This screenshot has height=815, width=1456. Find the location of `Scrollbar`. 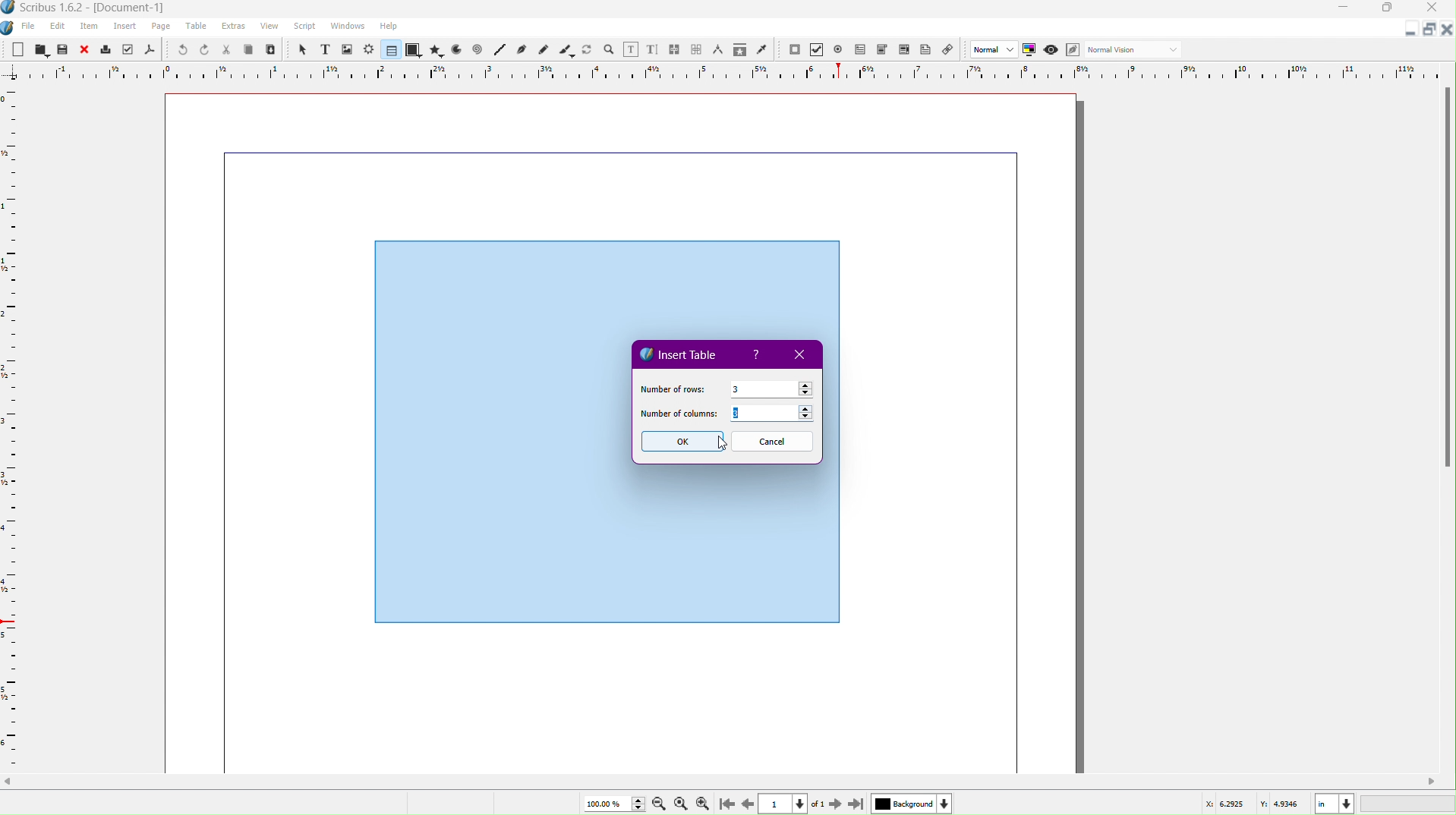

Scrollbar is located at coordinates (1446, 282).